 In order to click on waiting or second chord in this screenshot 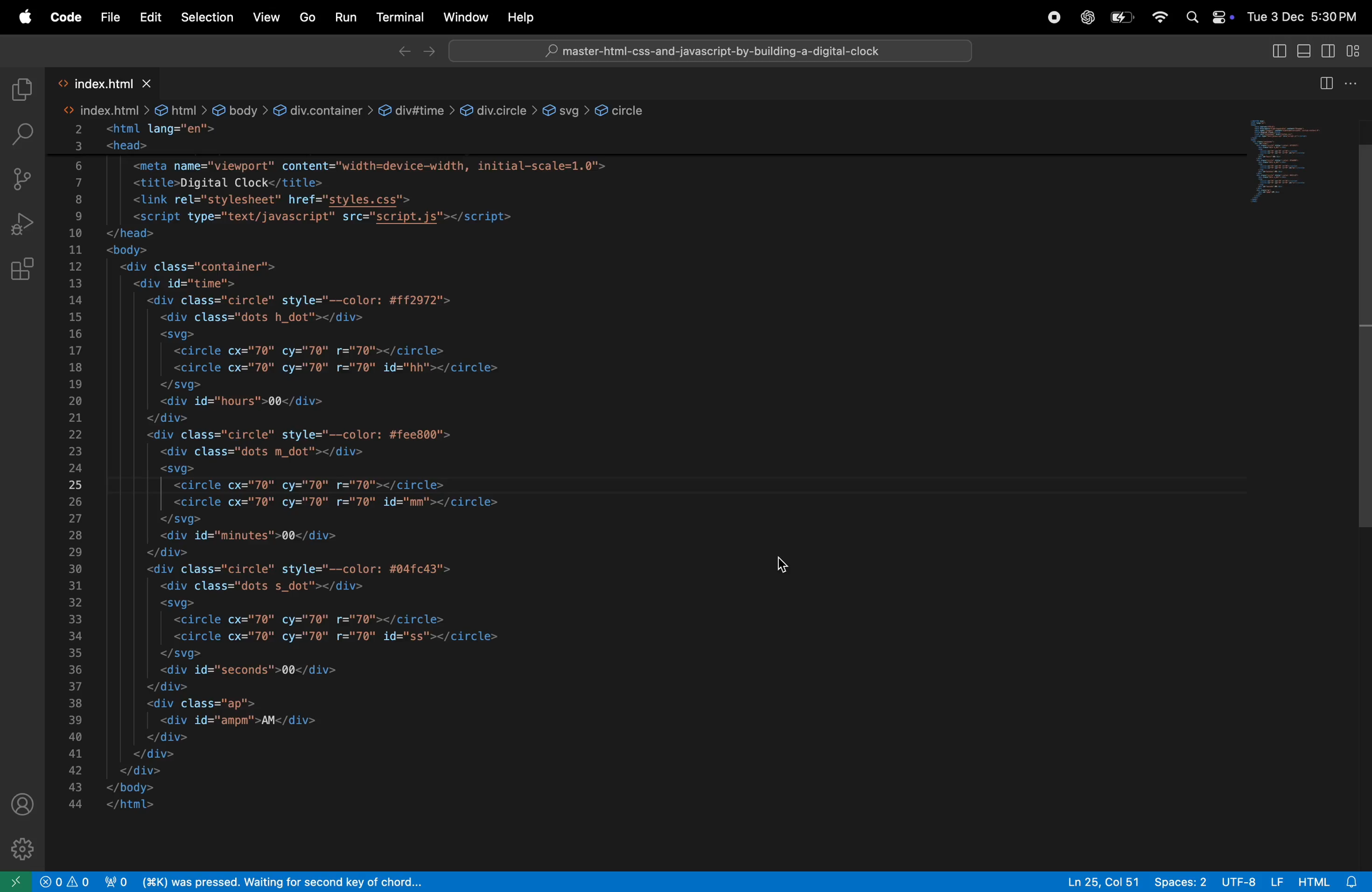, I will do `click(337, 882)`.